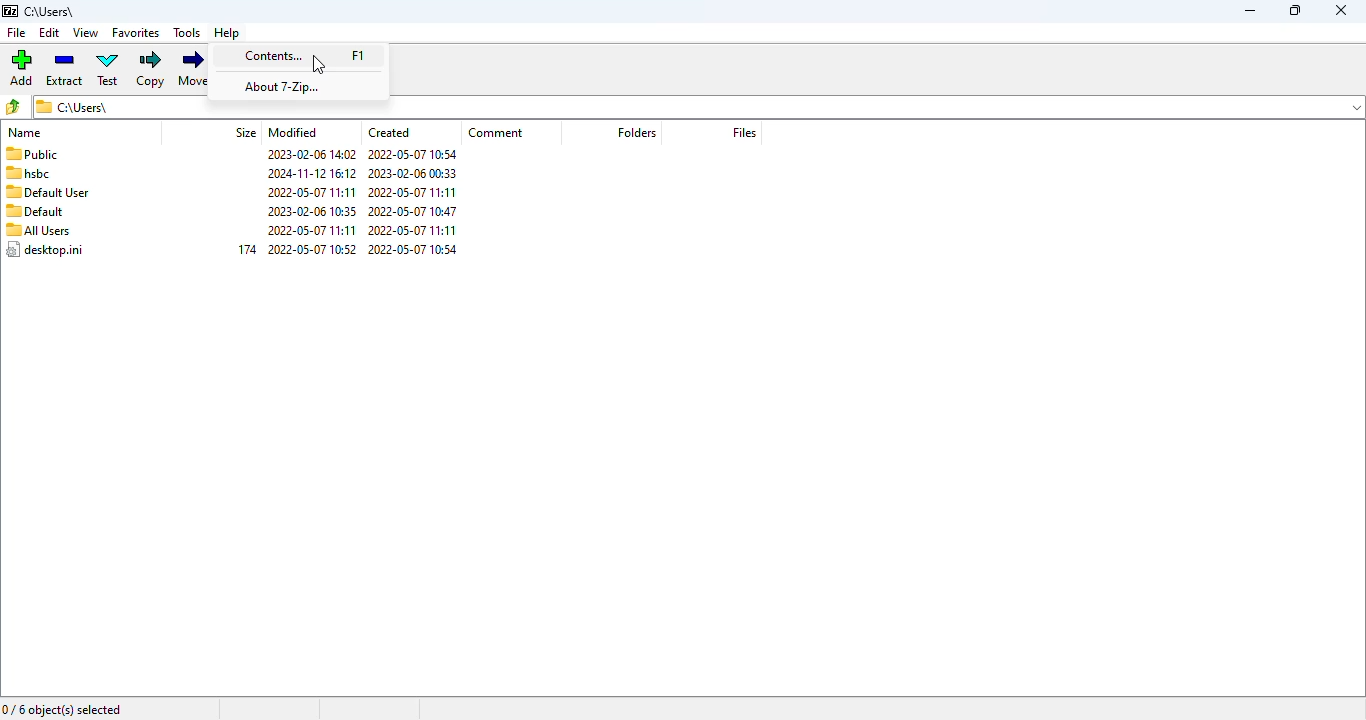 The height and width of the screenshot is (720, 1366). I want to click on files, so click(745, 132).